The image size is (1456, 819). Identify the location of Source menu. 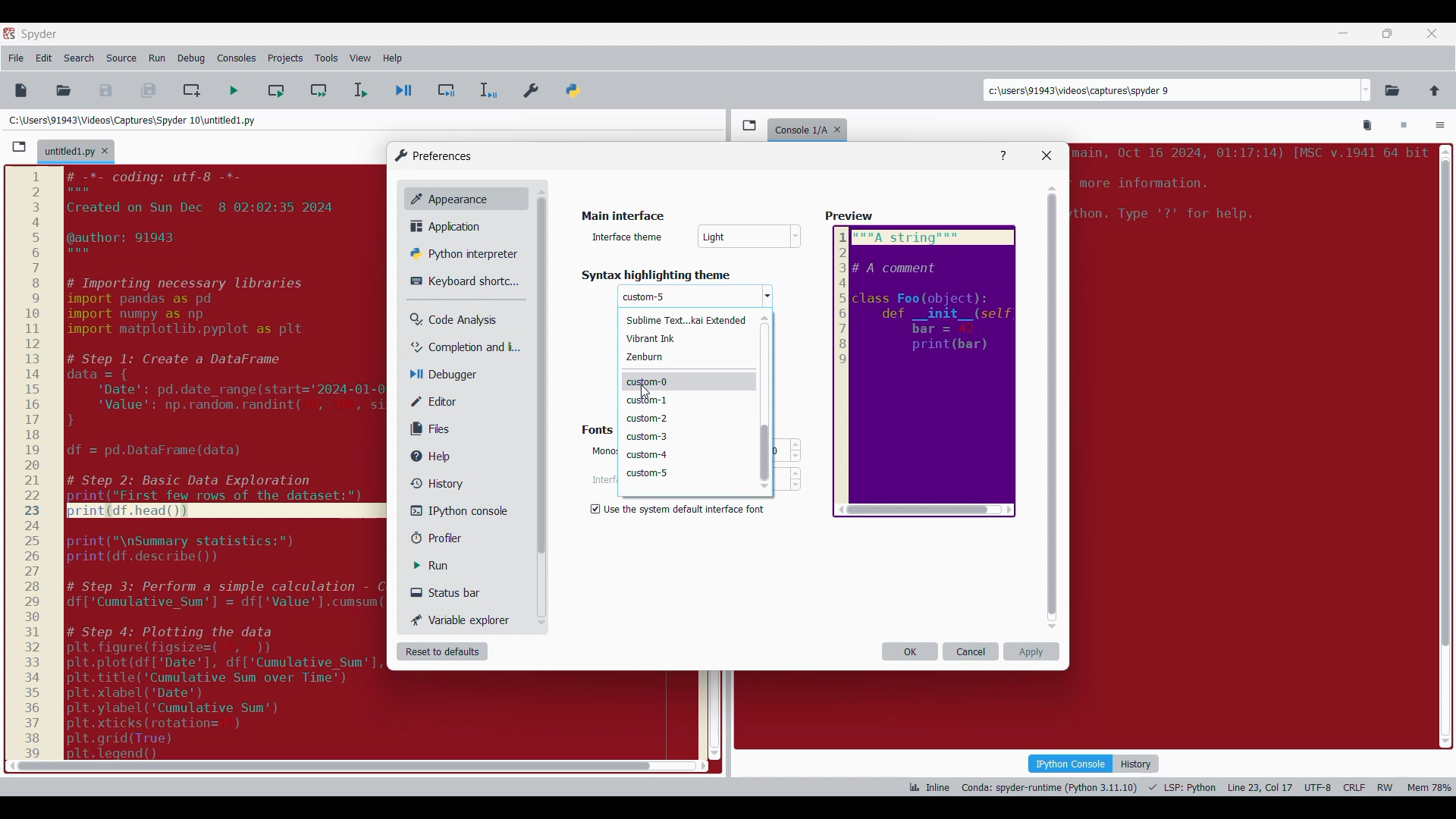
(121, 58).